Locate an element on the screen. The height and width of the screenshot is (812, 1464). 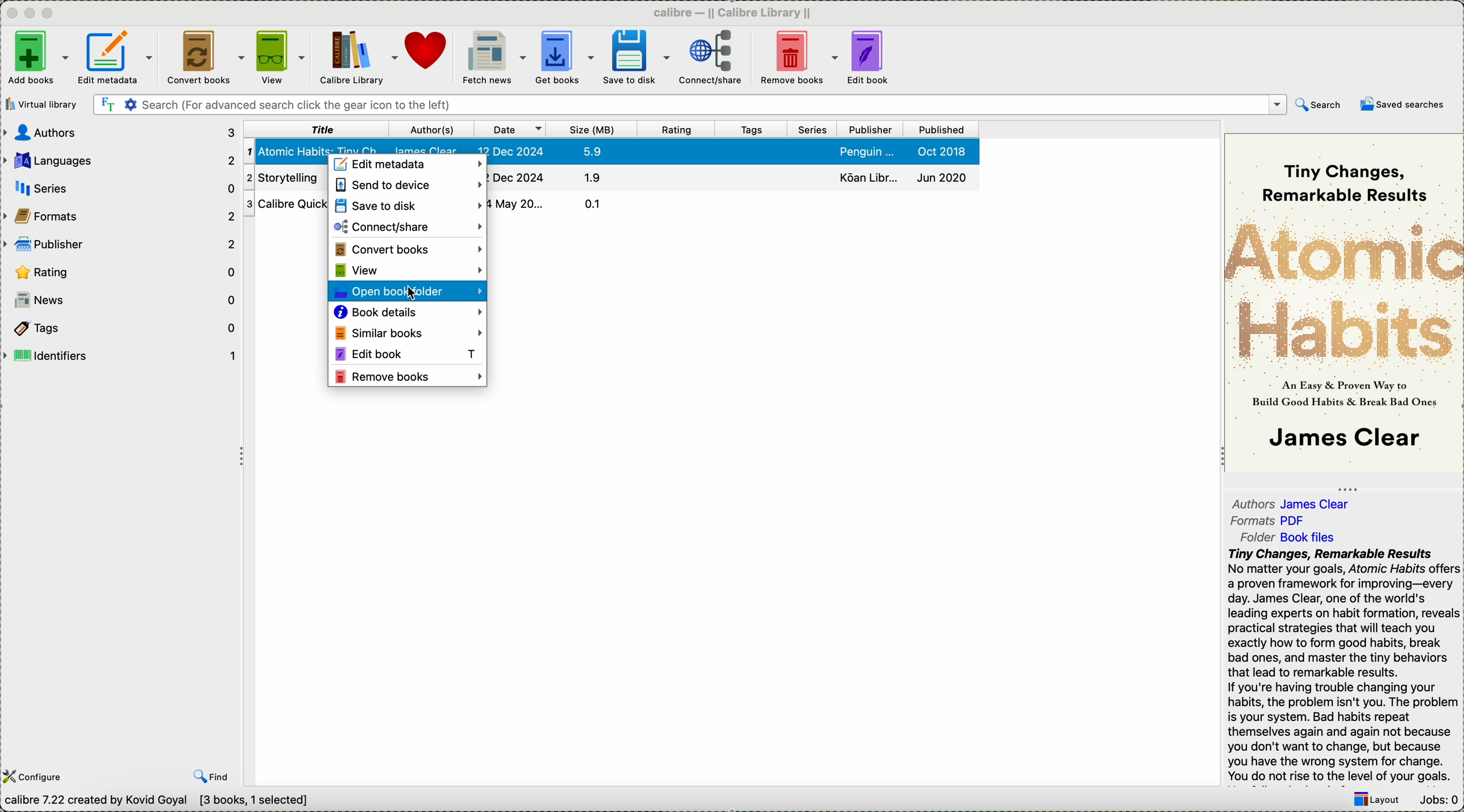
save to disk is located at coordinates (407, 205).